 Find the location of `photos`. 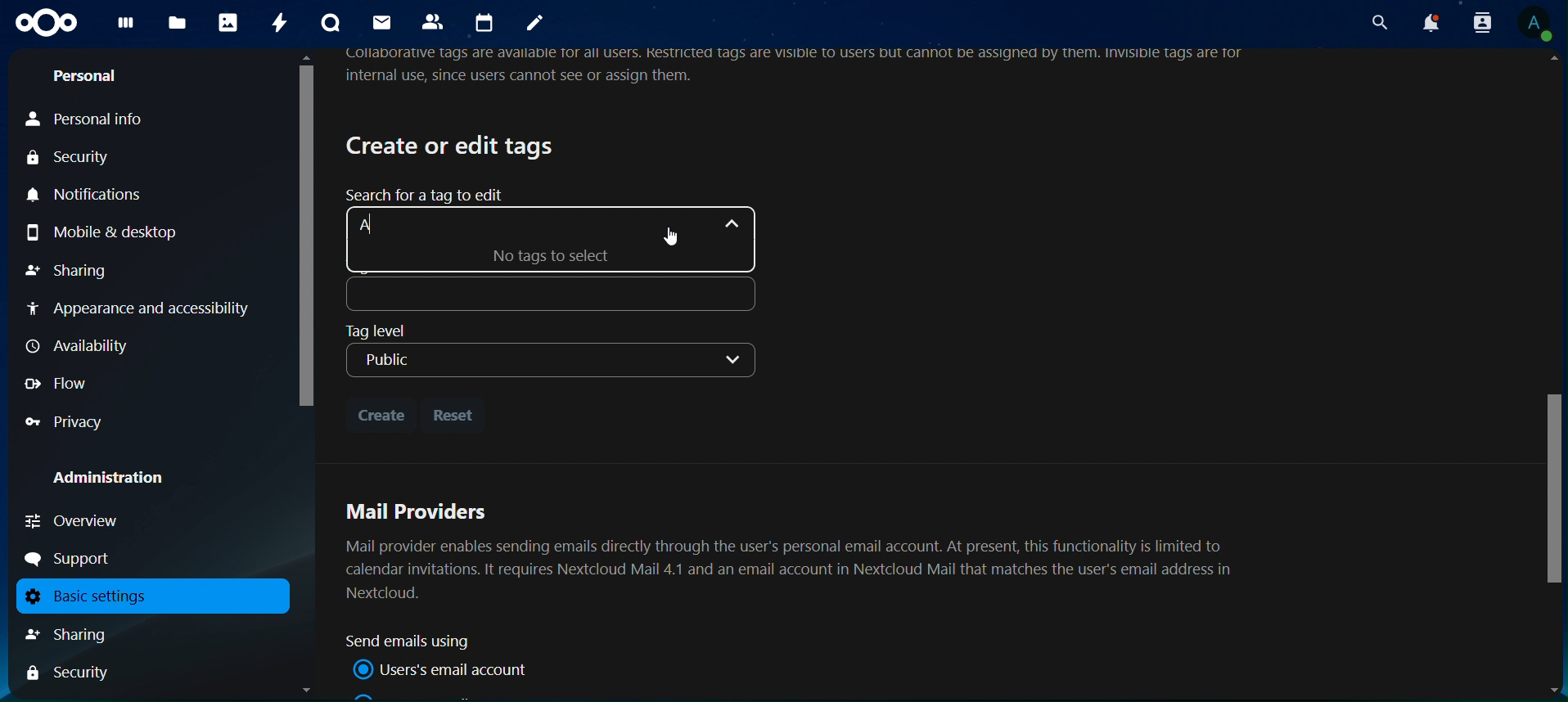

photos is located at coordinates (228, 23).